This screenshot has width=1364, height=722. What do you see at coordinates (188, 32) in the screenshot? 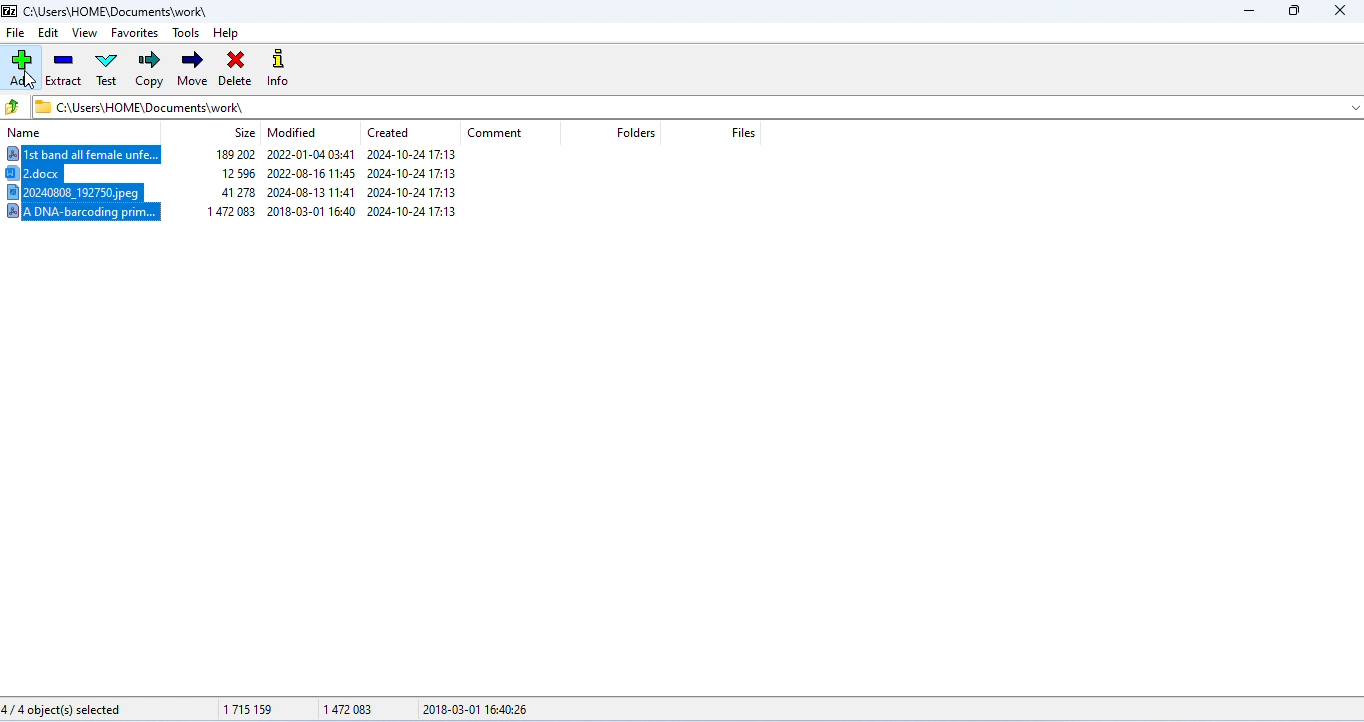
I see `tools` at bounding box center [188, 32].